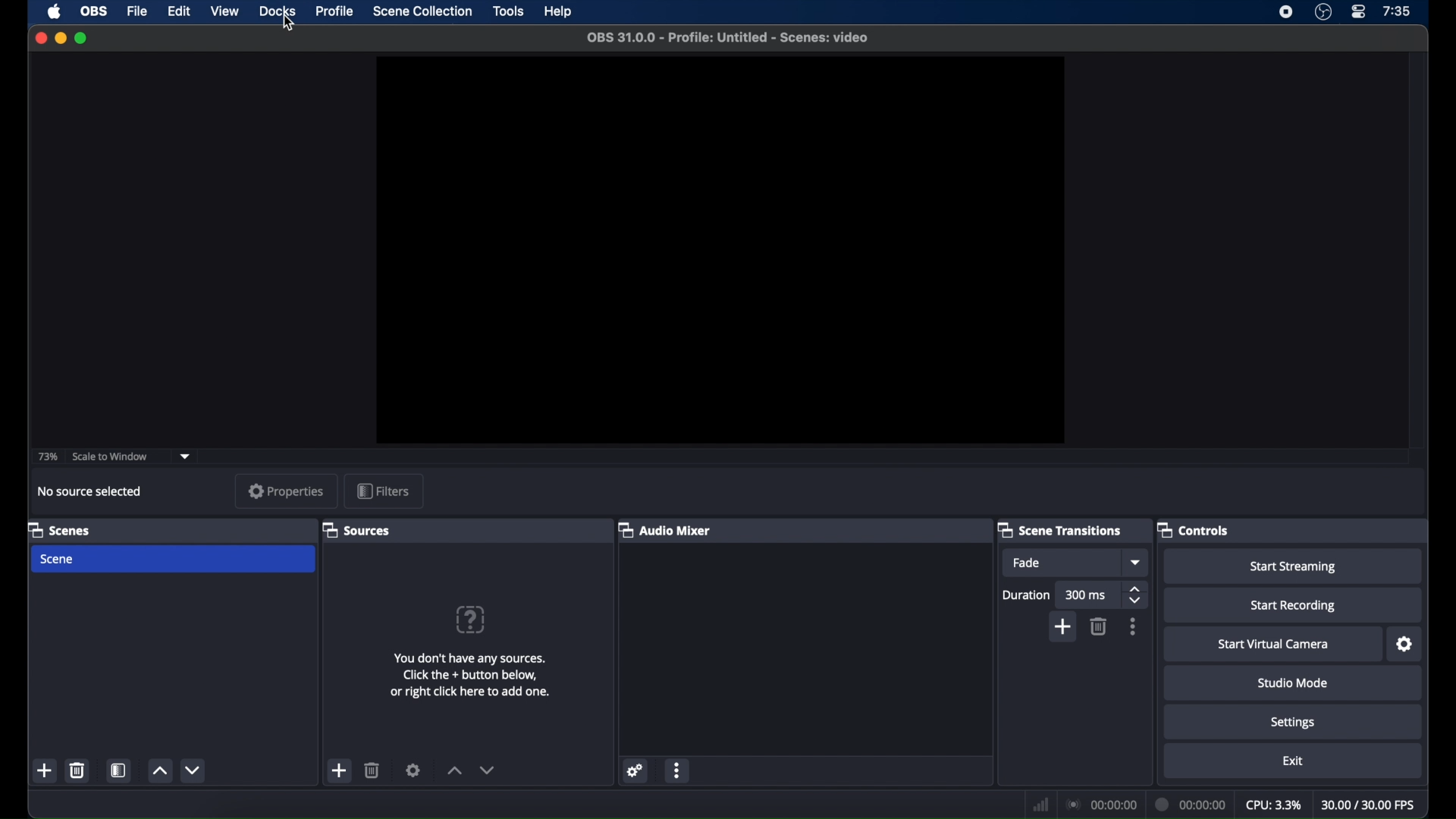 This screenshot has height=819, width=1456. Describe the element at coordinates (1293, 721) in the screenshot. I see `settings` at that location.